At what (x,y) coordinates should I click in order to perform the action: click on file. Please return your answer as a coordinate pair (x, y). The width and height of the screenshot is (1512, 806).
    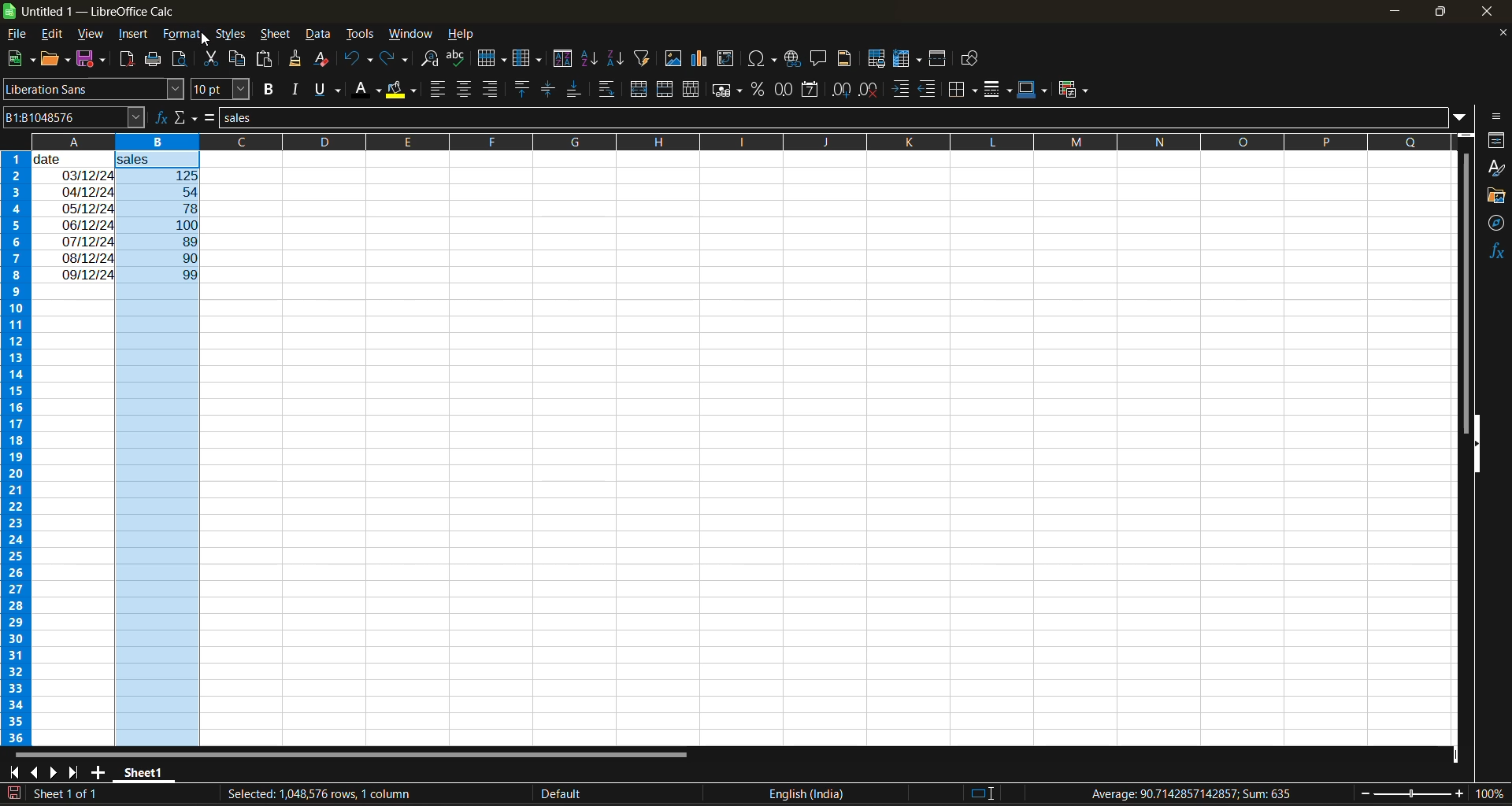
    Looking at the image, I should click on (19, 33).